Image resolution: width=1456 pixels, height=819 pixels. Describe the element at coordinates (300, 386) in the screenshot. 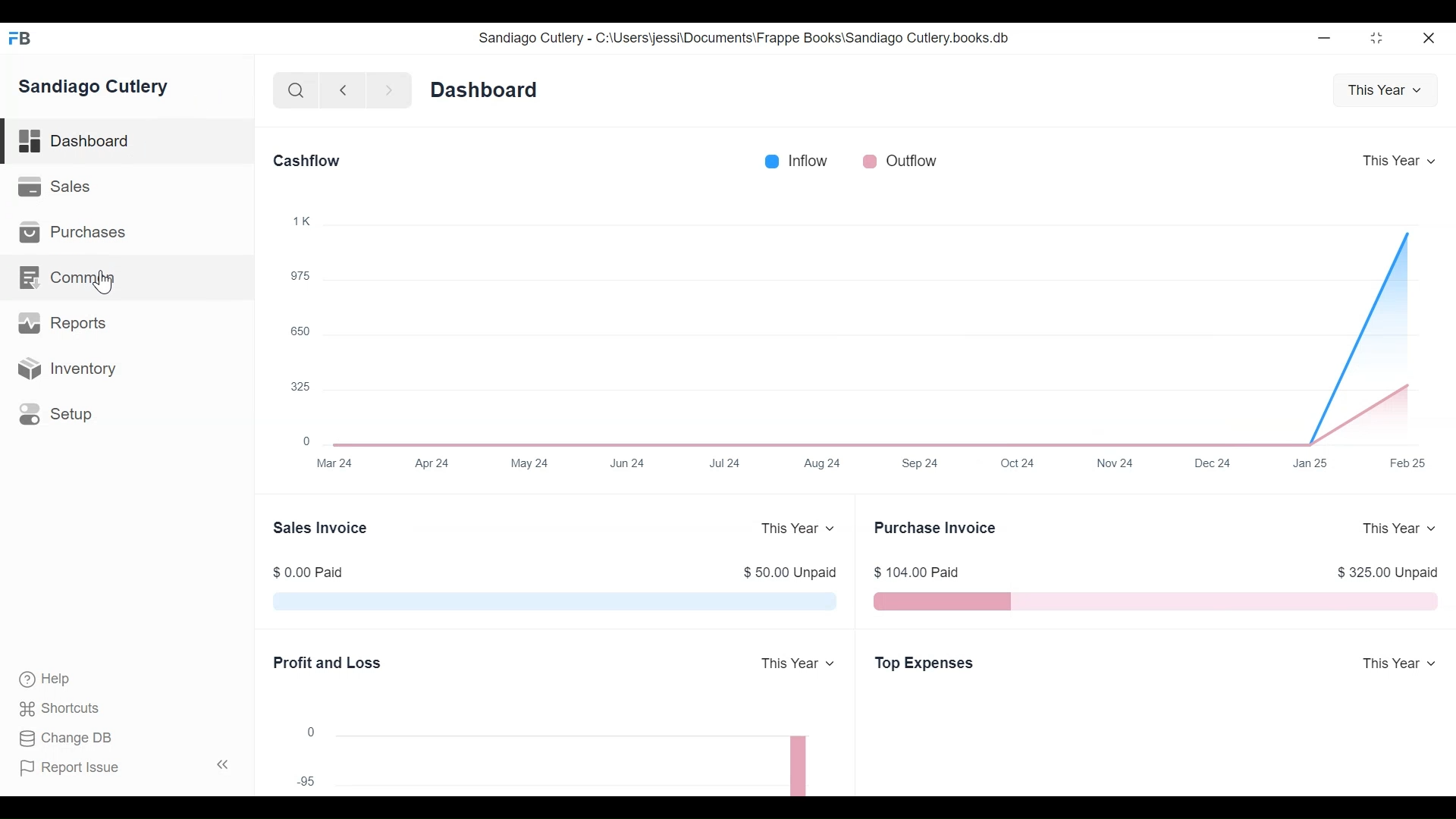

I see `325` at that location.